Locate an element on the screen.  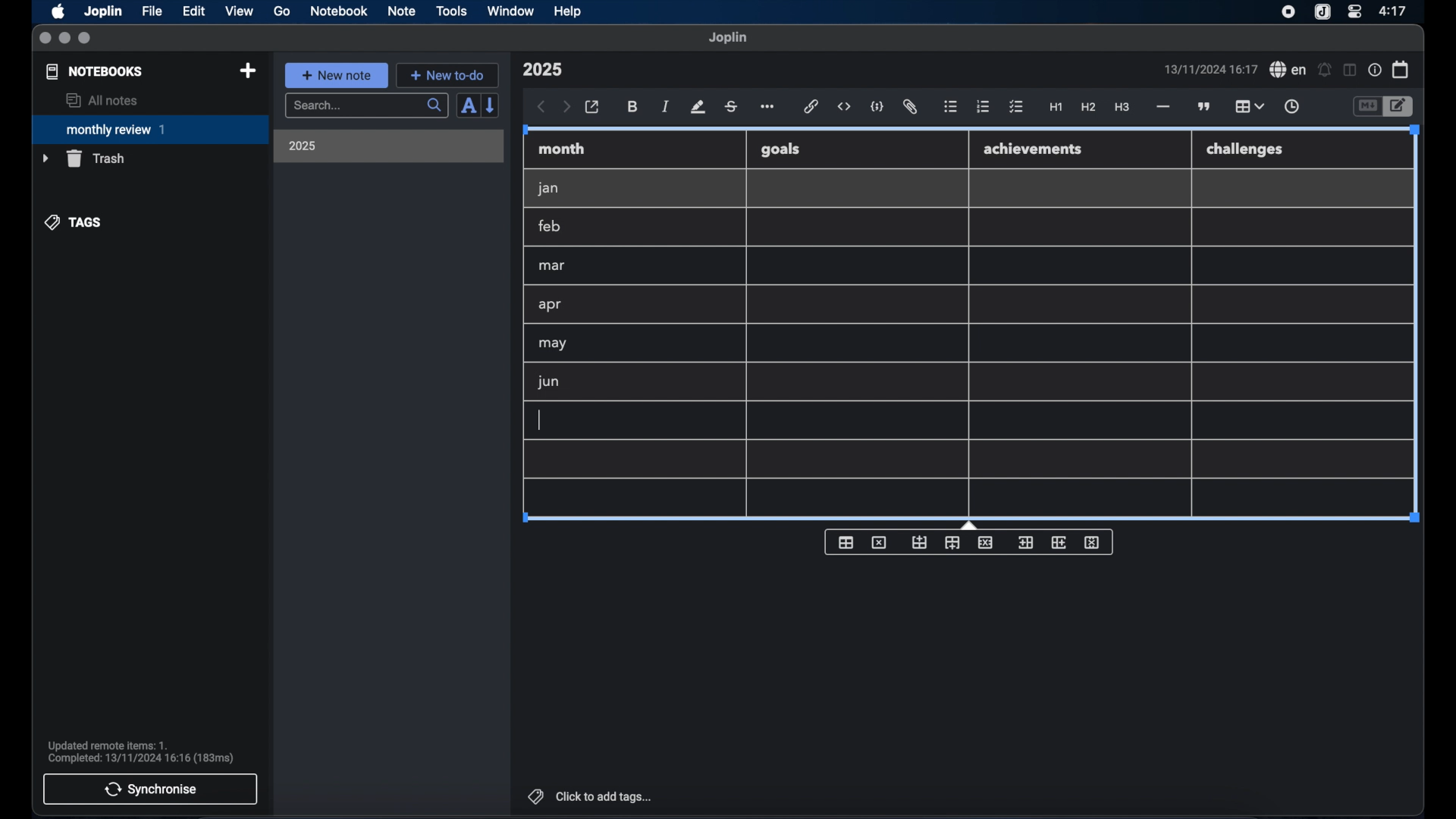
new to-do is located at coordinates (448, 75).